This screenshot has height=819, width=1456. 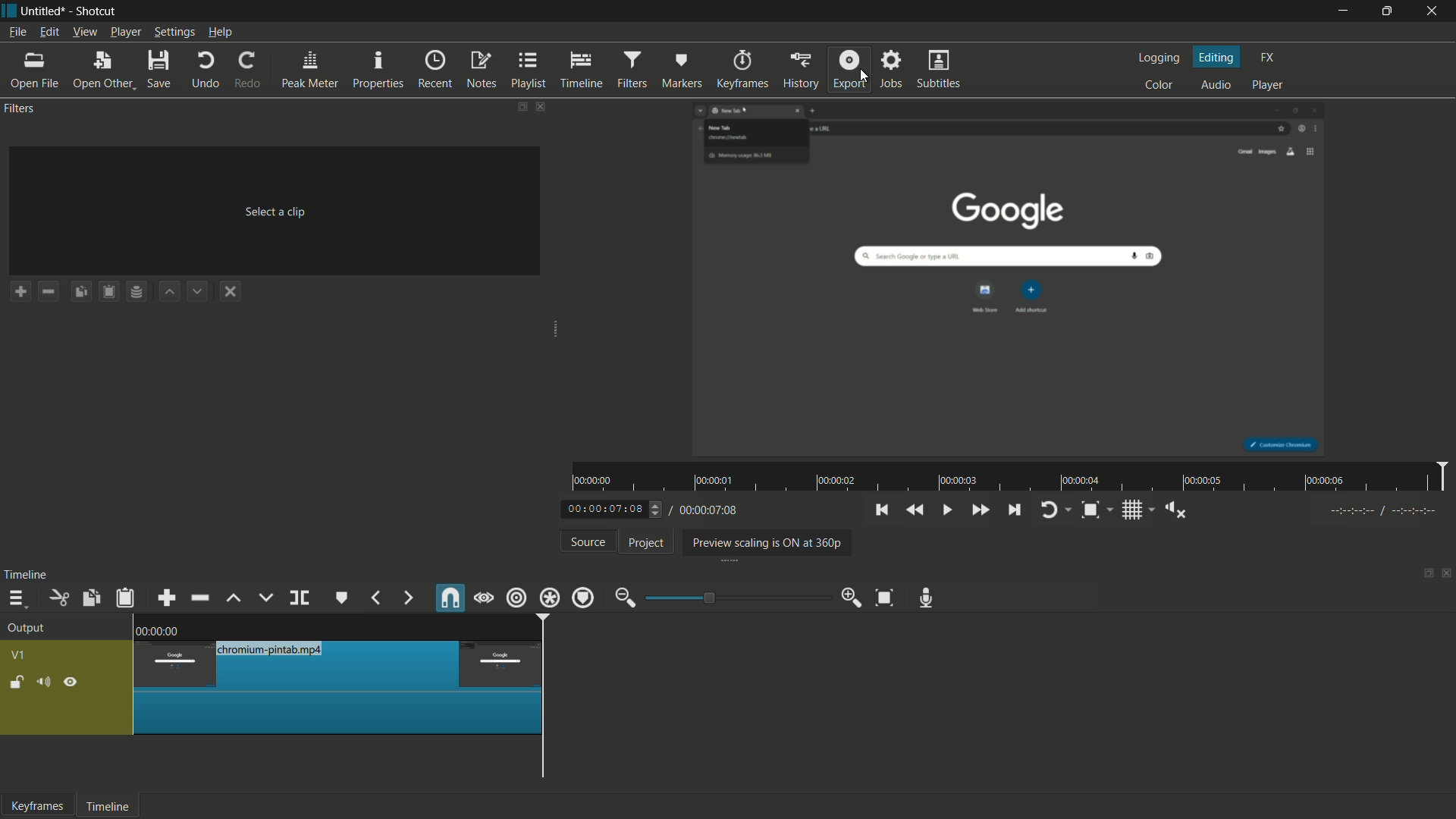 I want to click on add a filter, so click(x=20, y=291).